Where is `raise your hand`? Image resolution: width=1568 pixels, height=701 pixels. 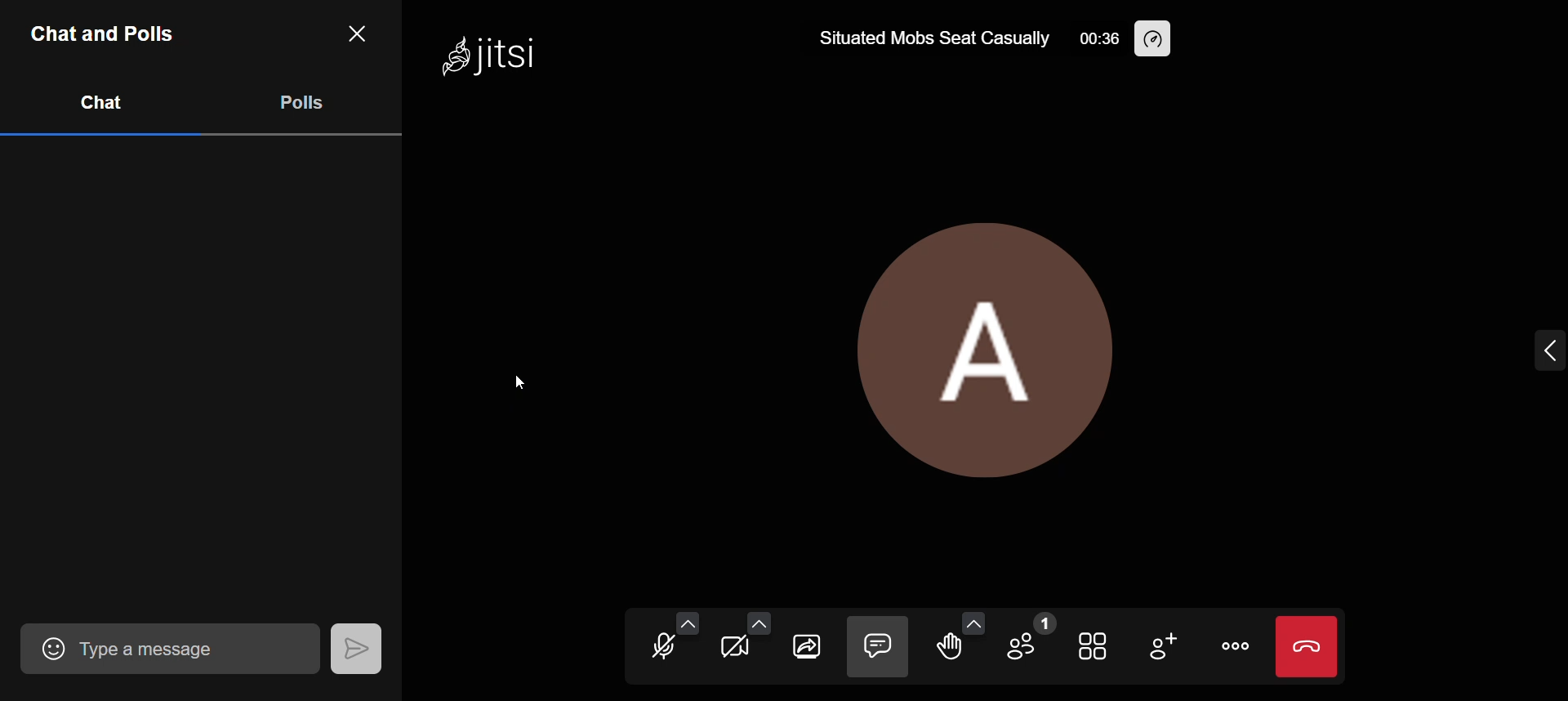 raise your hand is located at coordinates (951, 654).